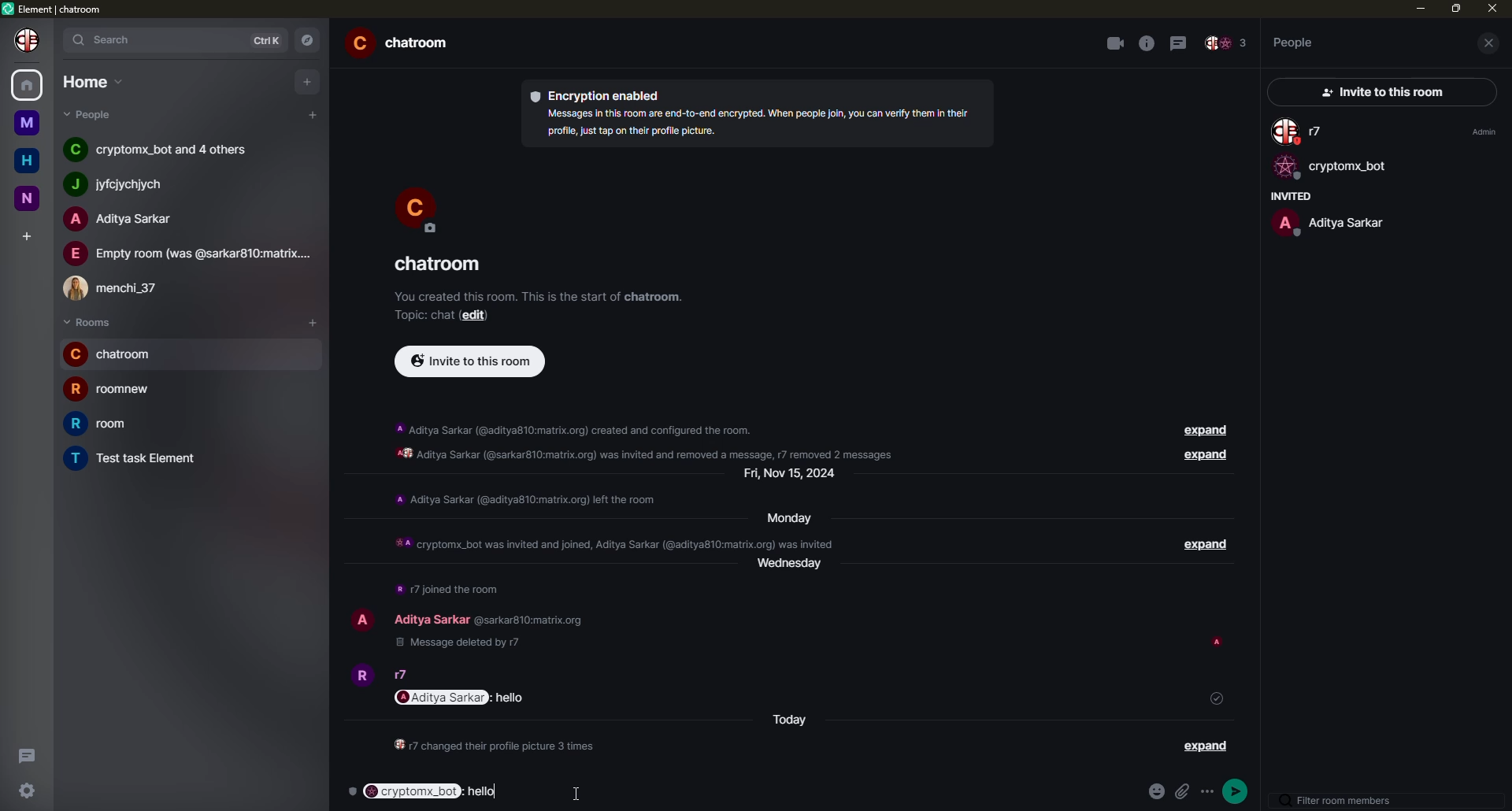 This screenshot has height=811, width=1512. What do you see at coordinates (28, 235) in the screenshot?
I see `add` at bounding box center [28, 235].